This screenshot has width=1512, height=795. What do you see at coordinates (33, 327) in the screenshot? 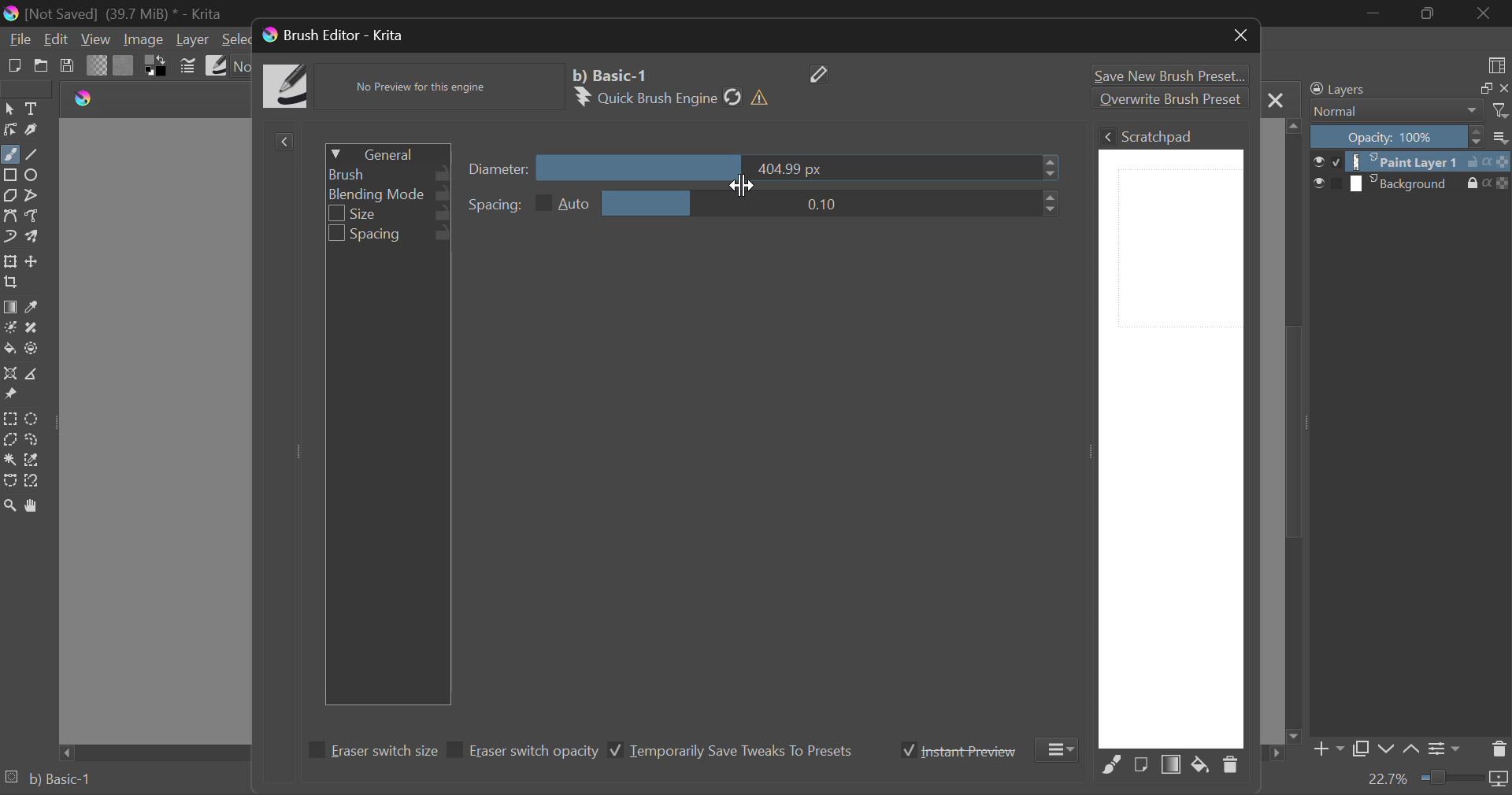
I see `Smart Patch Tool` at bounding box center [33, 327].